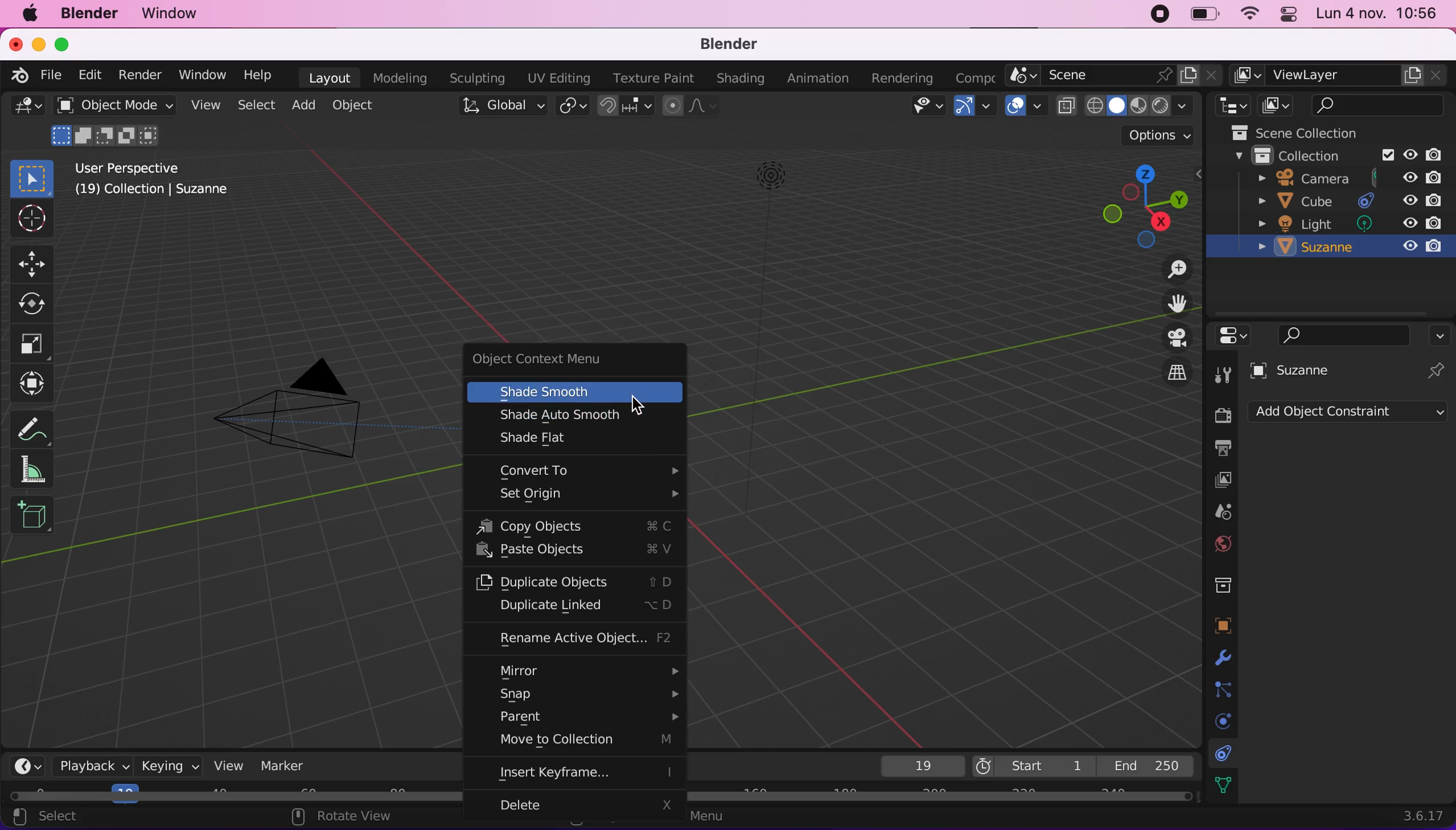 This screenshot has width=1456, height=830. What do you see at coordinates (584, 694) in the screenshot?
I see `snap` at bounding box center [584, 694].